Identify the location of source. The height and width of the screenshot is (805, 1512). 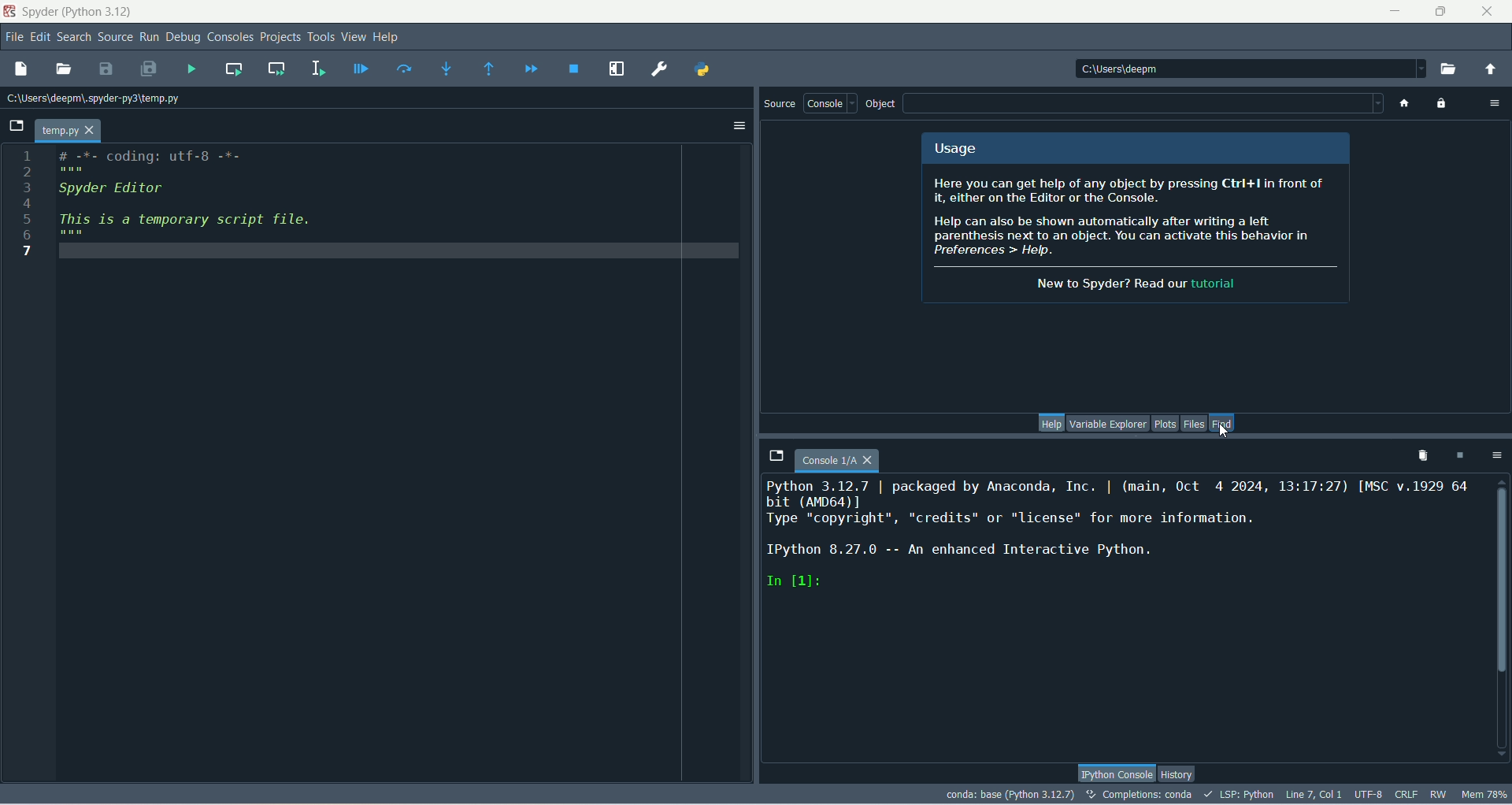
(117, 38).